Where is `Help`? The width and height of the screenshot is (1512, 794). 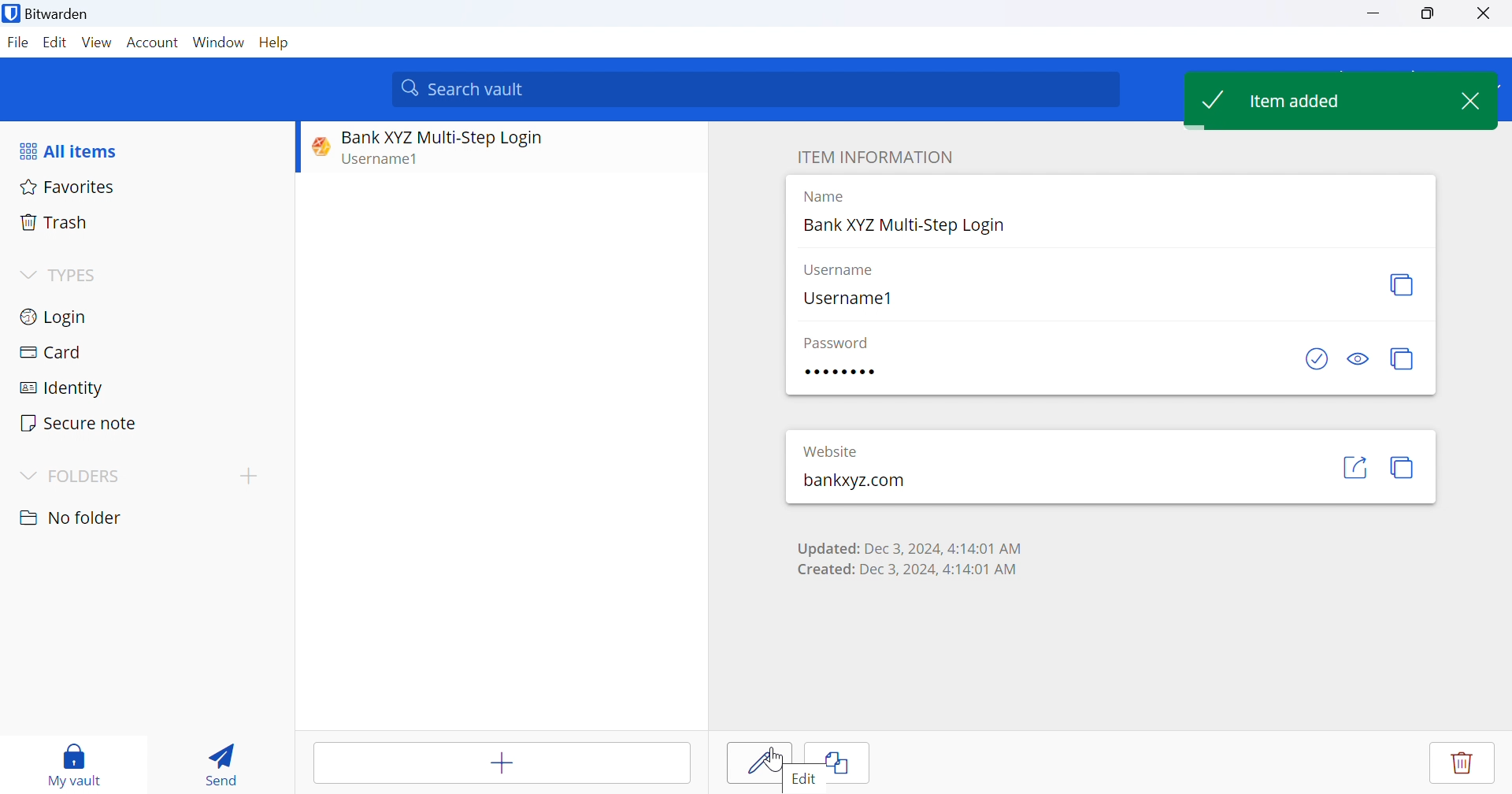 Help is located at coordinates (275, 44).